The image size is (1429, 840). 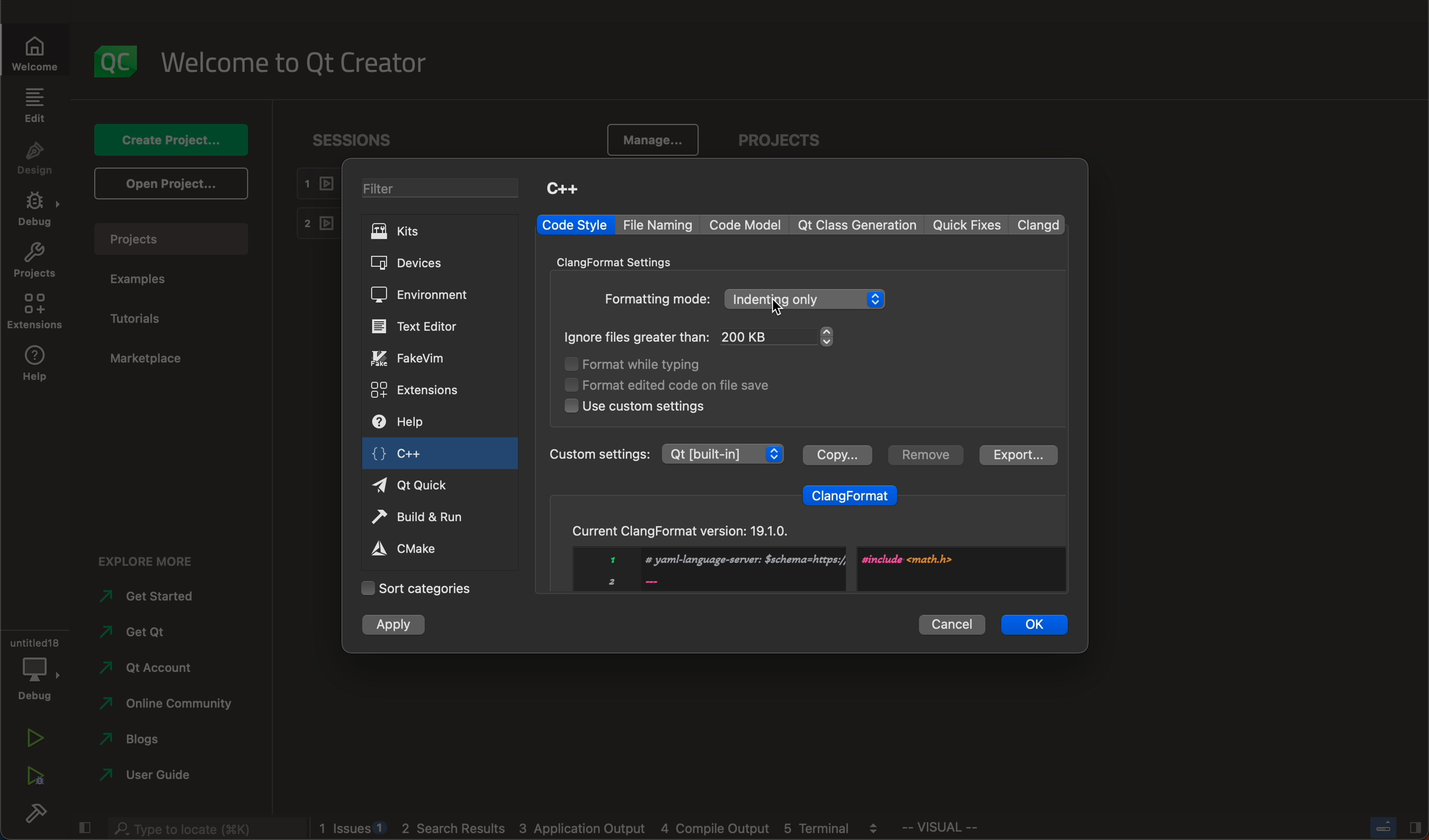 I want to click on FORMATING Mode, so click(x=745, y=300).